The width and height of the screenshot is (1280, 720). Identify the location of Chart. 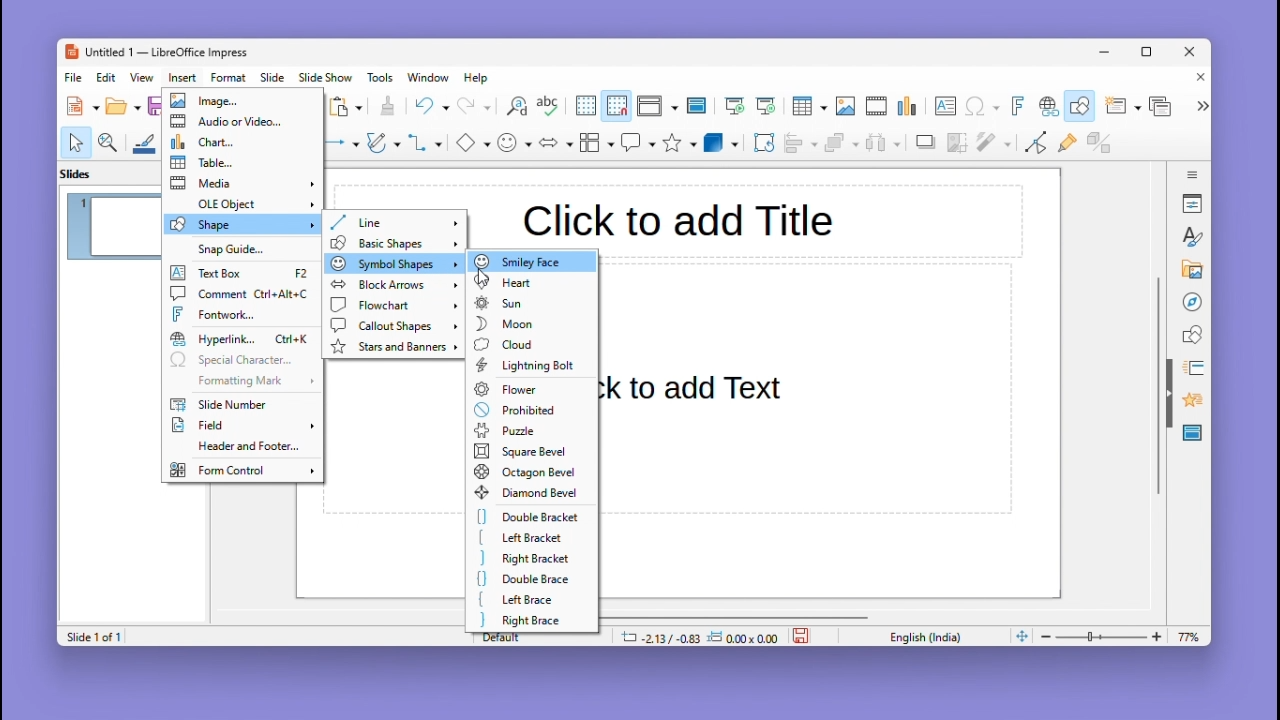
(909, 107).